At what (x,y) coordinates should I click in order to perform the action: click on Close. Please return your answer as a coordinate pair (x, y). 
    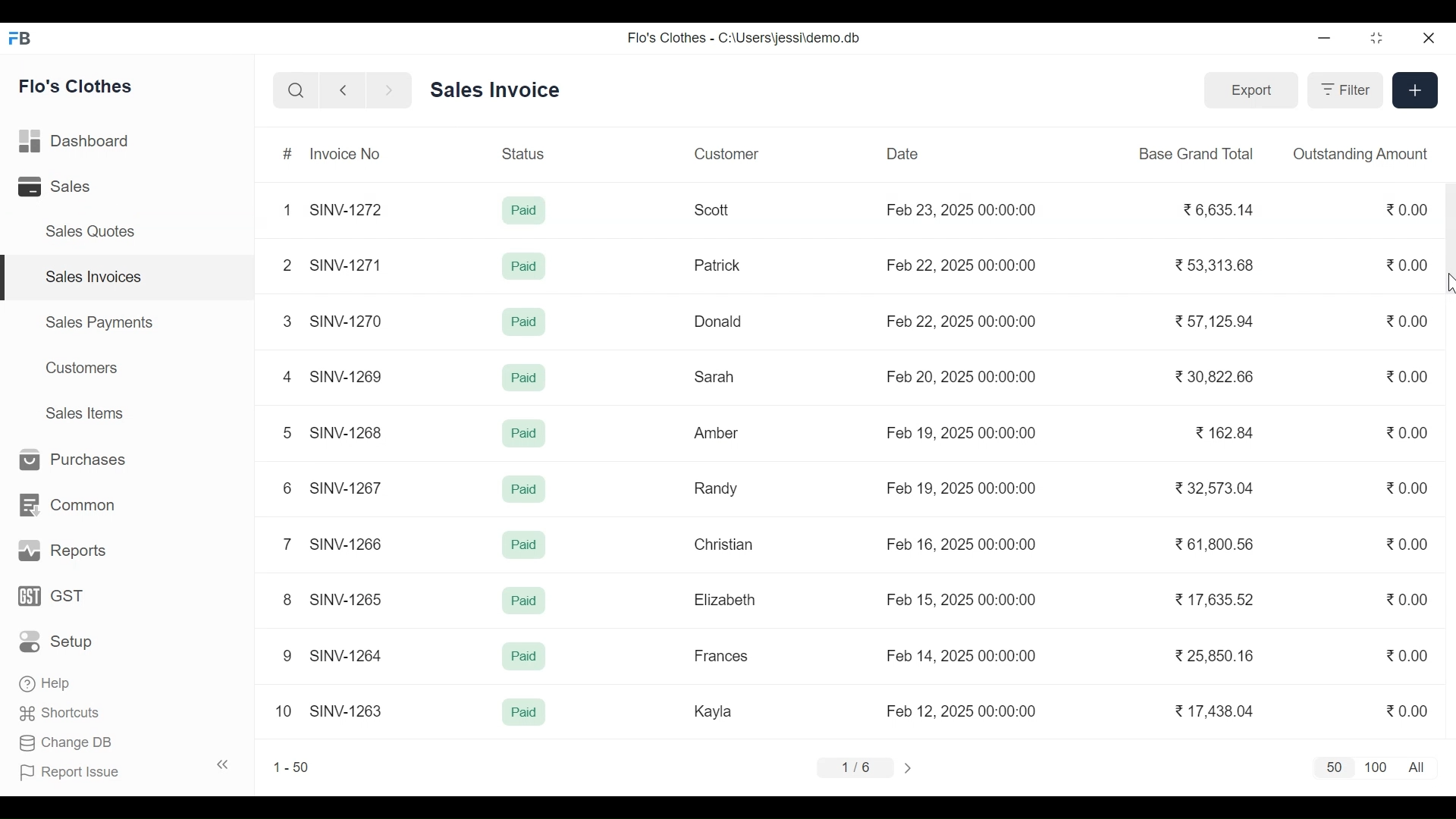
    Looking at the image, I should click on (1426, 39).